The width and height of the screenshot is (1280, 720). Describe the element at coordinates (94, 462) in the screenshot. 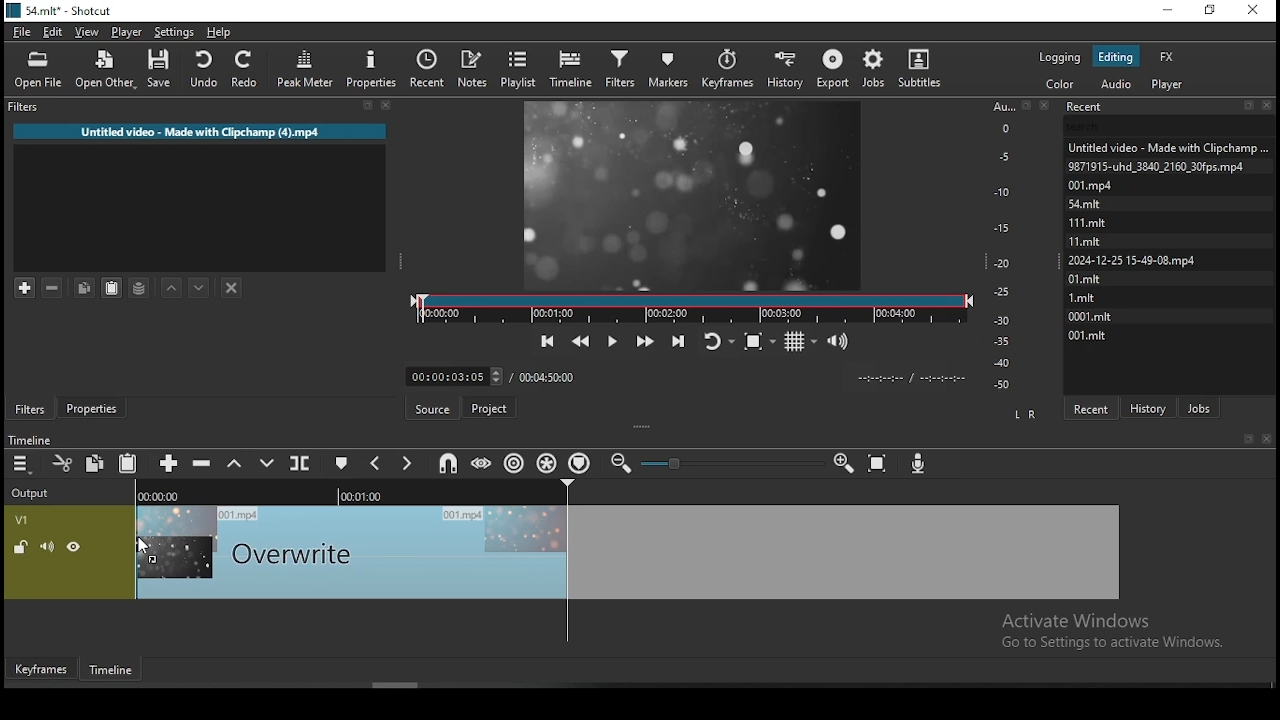

I see `copy` at that location.